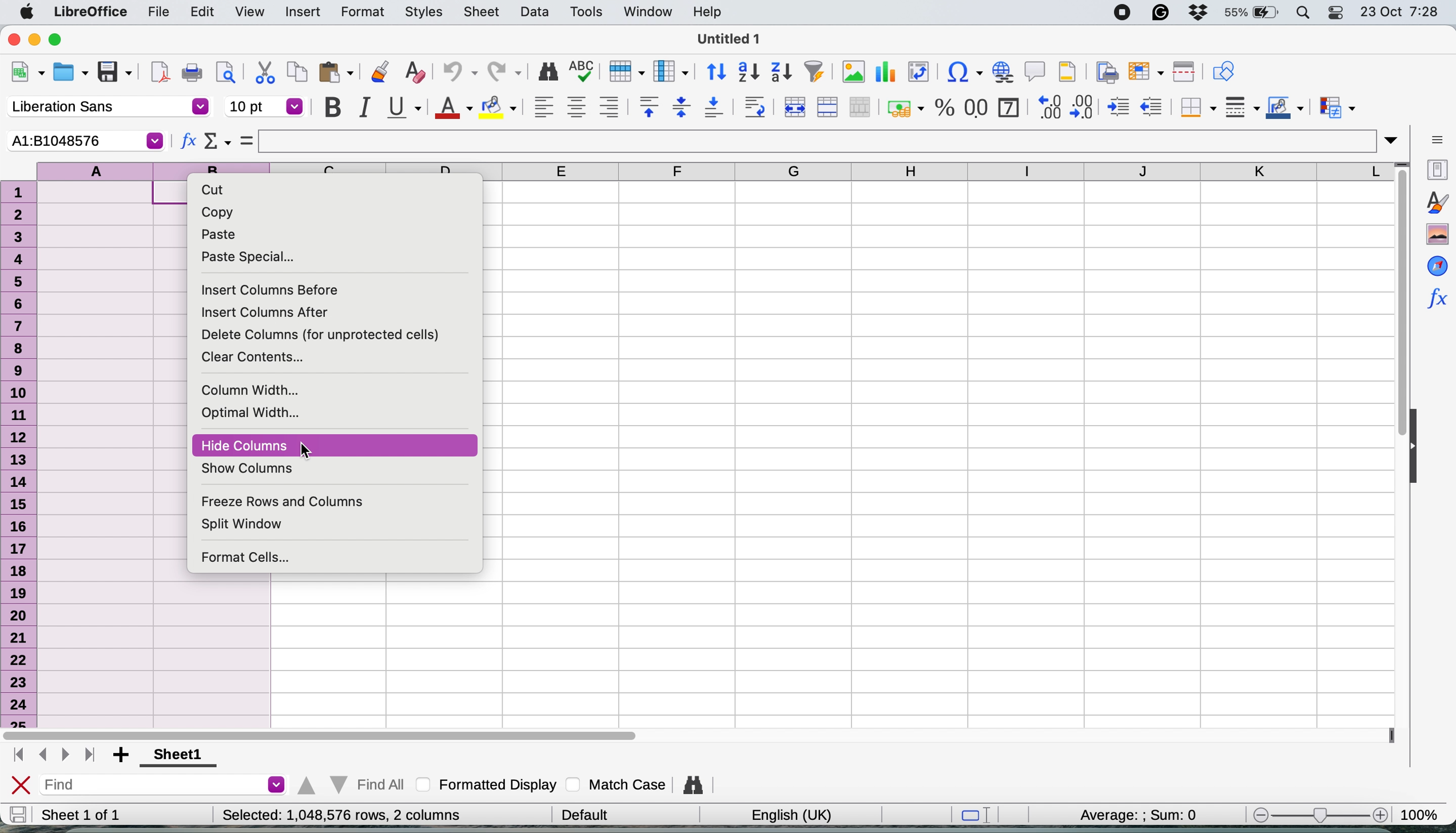  What do you see at coordinates (904, 106) in the screenshot?
I see `format as currency` at bounding box center [904, 106].